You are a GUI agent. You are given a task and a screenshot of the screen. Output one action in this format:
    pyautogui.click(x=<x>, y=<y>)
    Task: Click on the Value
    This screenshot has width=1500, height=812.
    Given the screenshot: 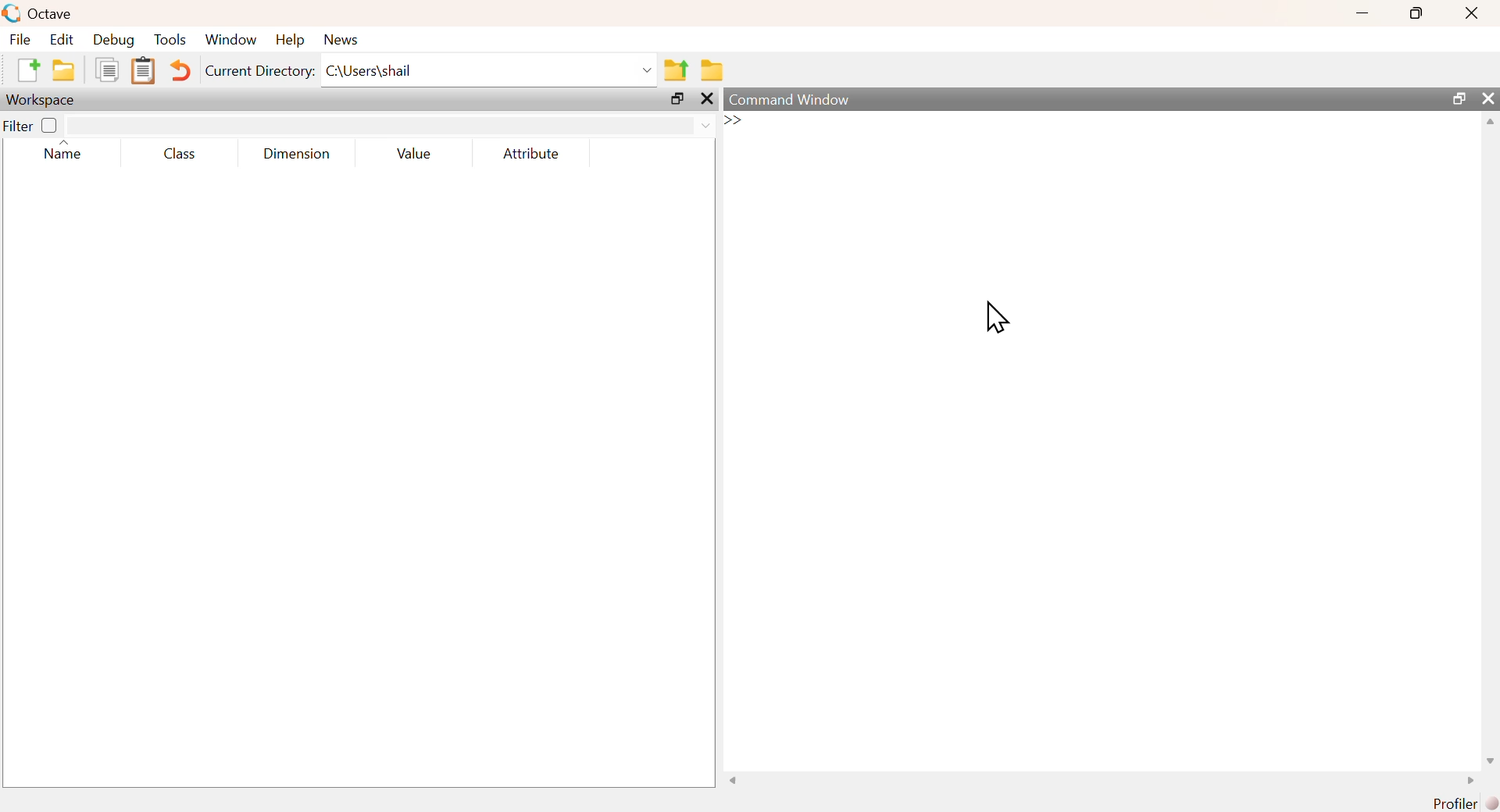 What is the action you would take?
    pyautogui.click(x=420, y=153)
    